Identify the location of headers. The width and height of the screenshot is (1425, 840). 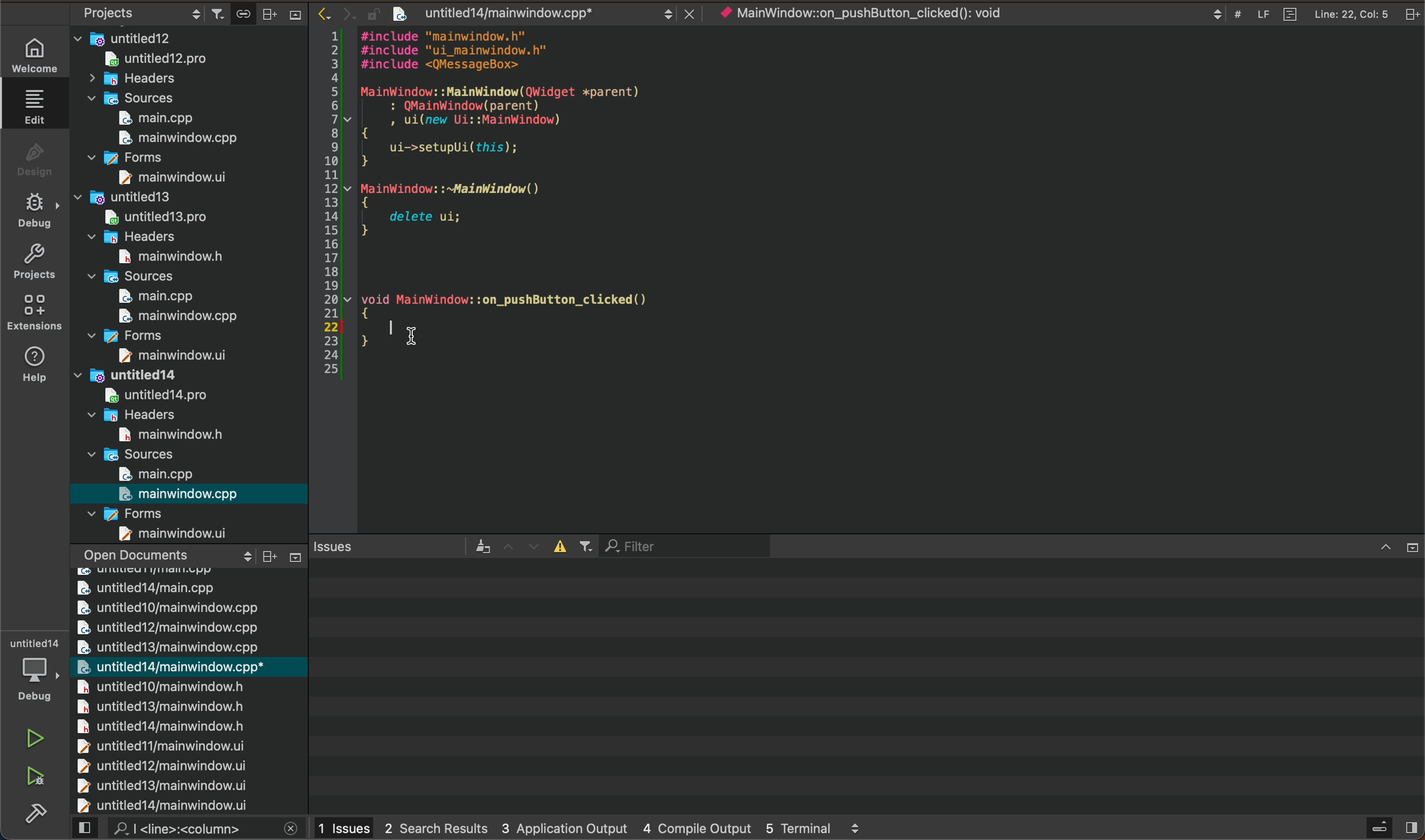
(132, 414).